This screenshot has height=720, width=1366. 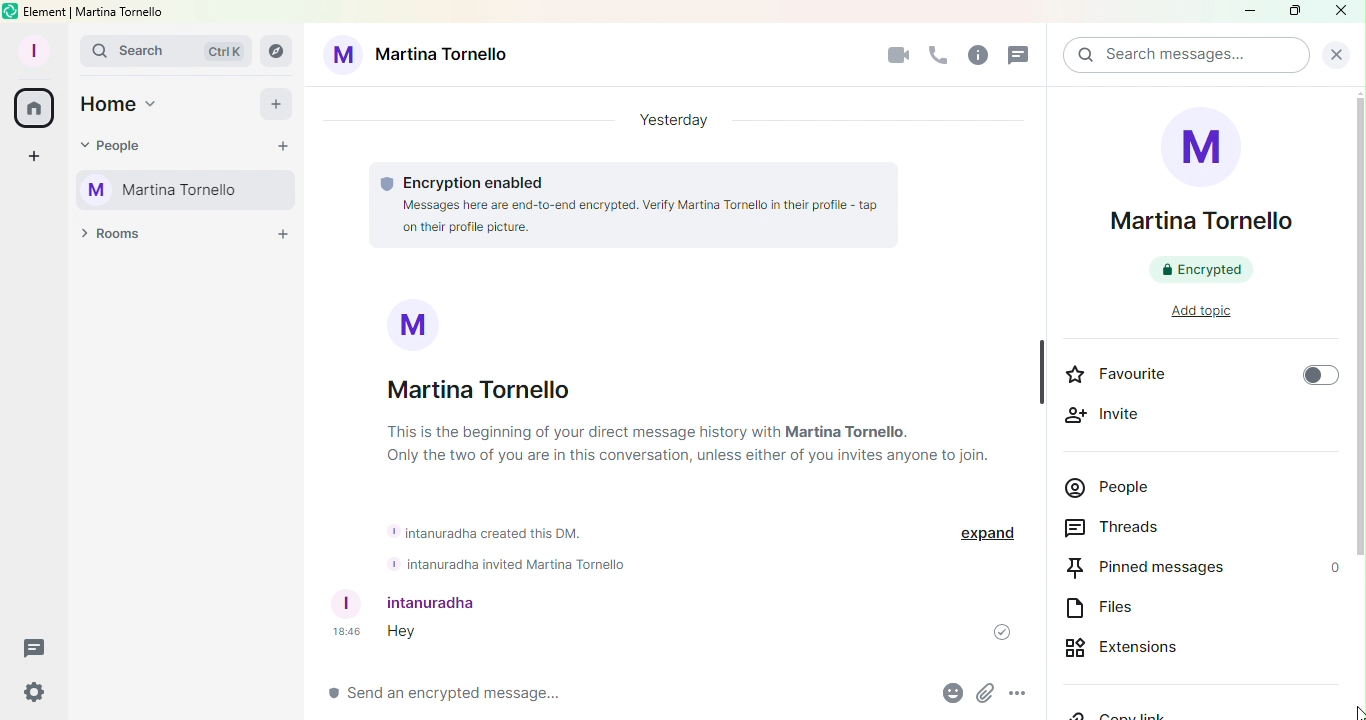 I want to click on intanuradha, so click(x=413, y=603).